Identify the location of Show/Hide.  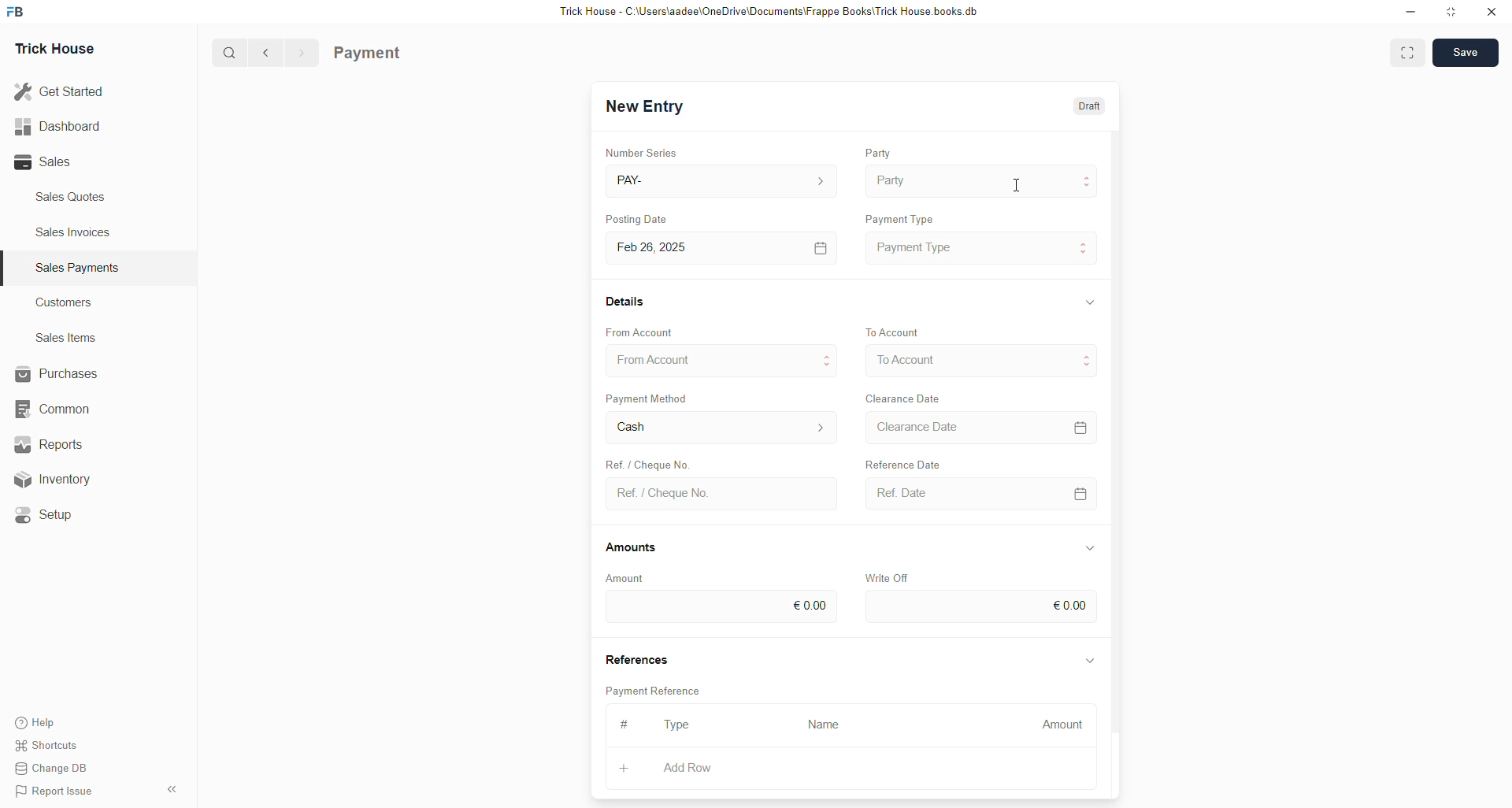
(1089, 548).